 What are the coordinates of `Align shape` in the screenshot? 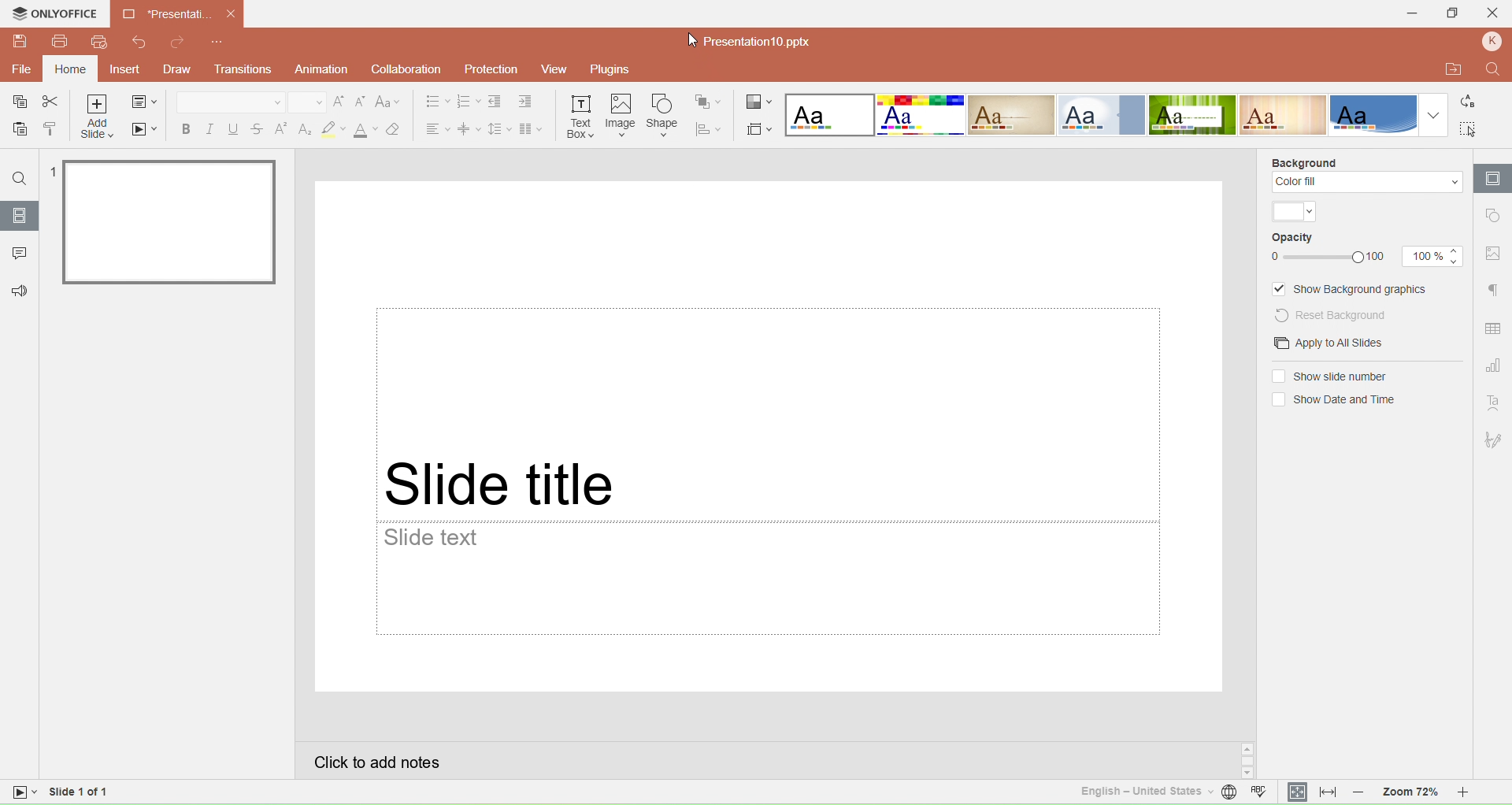 It's located at (710, 128).